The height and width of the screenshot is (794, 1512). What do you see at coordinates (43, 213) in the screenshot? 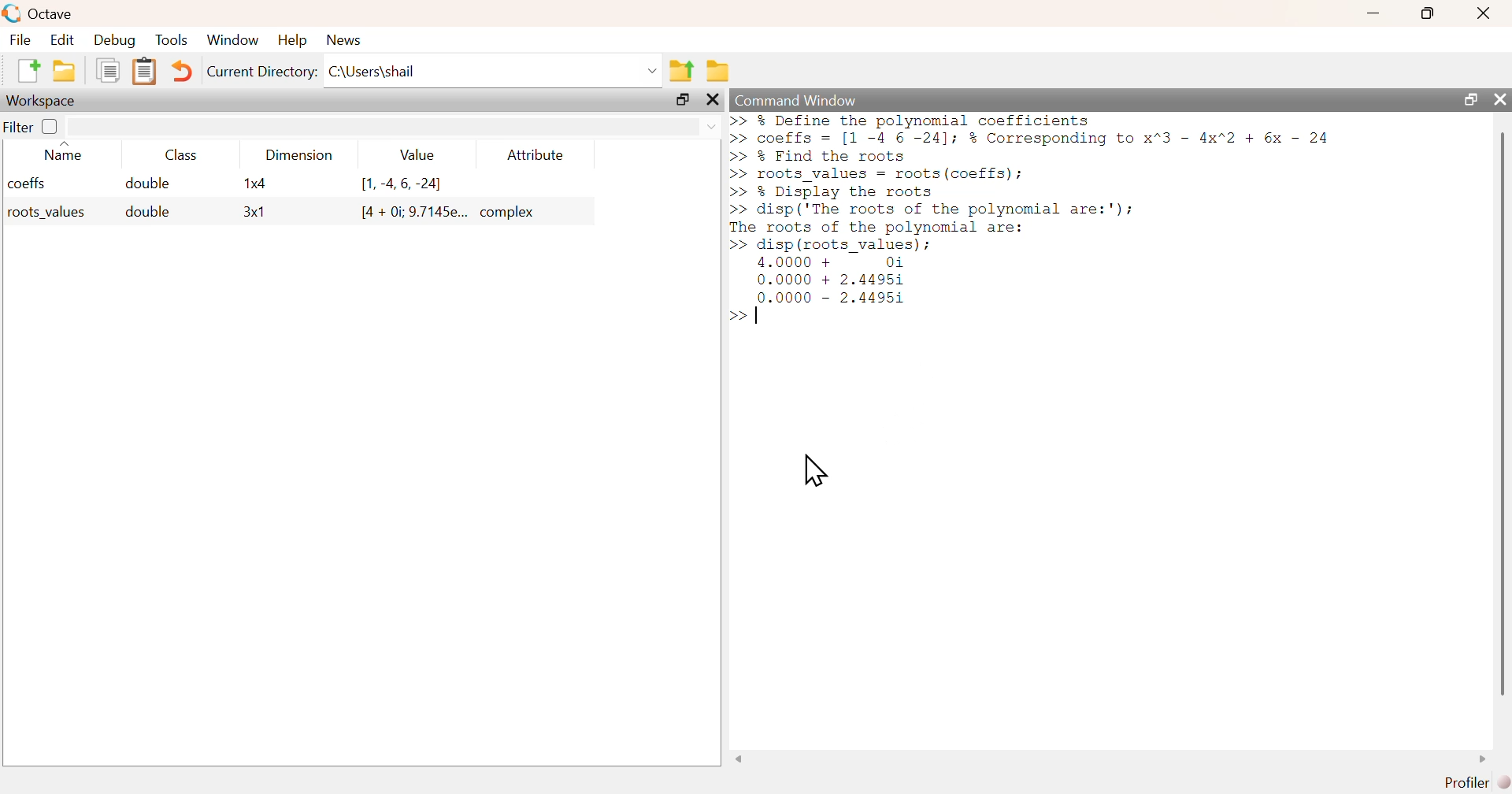
I see `roots values` at bounding box center [43, 213].